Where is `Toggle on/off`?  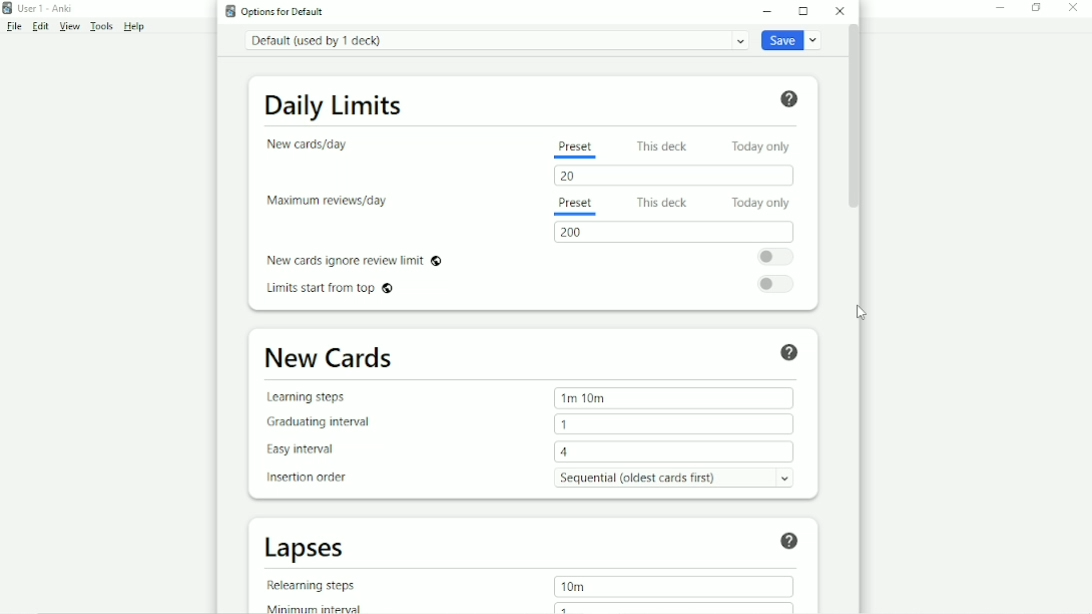
Toggle on/off is located at coordinates (774, 284).